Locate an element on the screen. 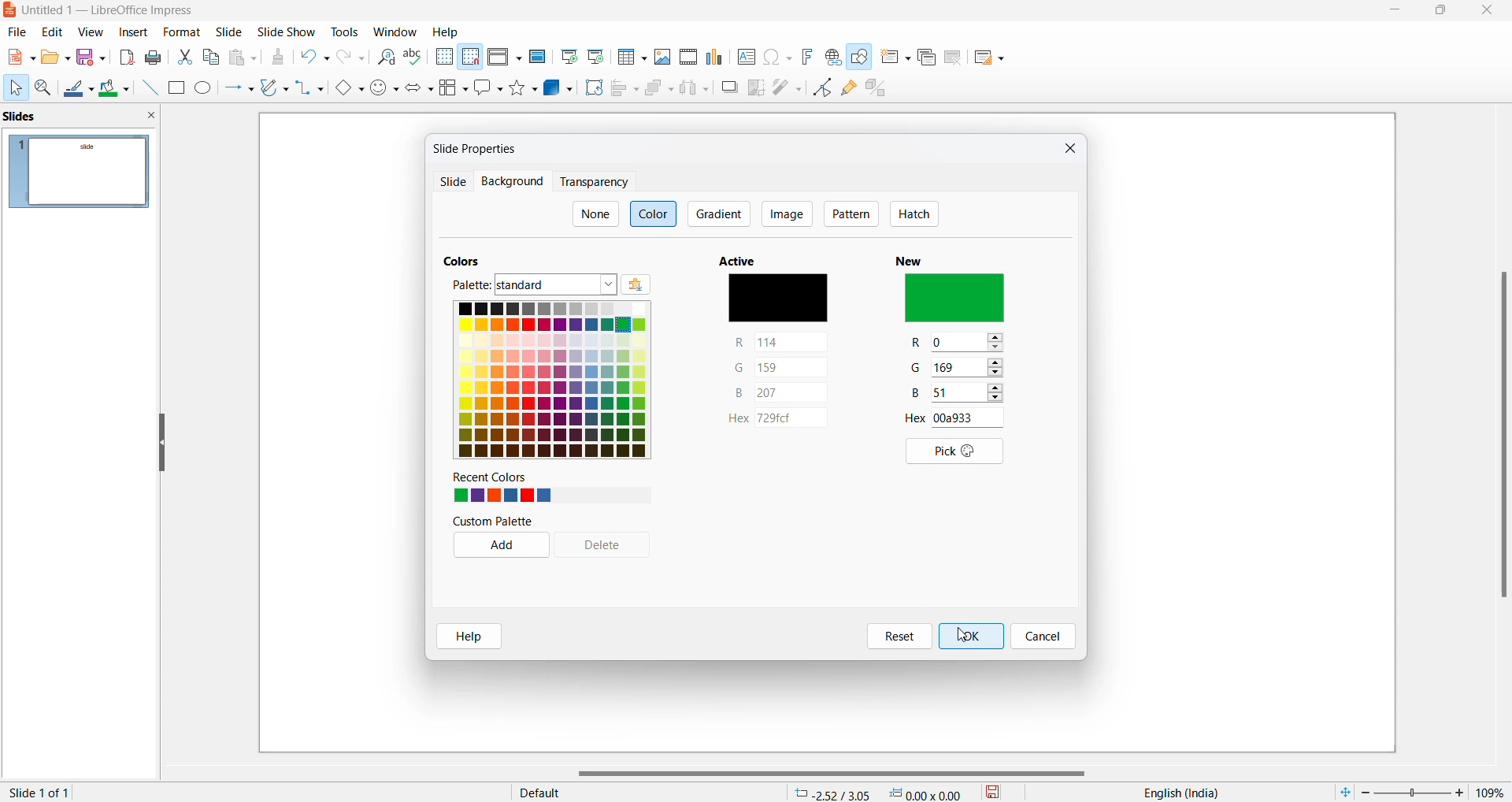 This screenshot has height=802, width=1512. close is located at coordinates (1397, 12).